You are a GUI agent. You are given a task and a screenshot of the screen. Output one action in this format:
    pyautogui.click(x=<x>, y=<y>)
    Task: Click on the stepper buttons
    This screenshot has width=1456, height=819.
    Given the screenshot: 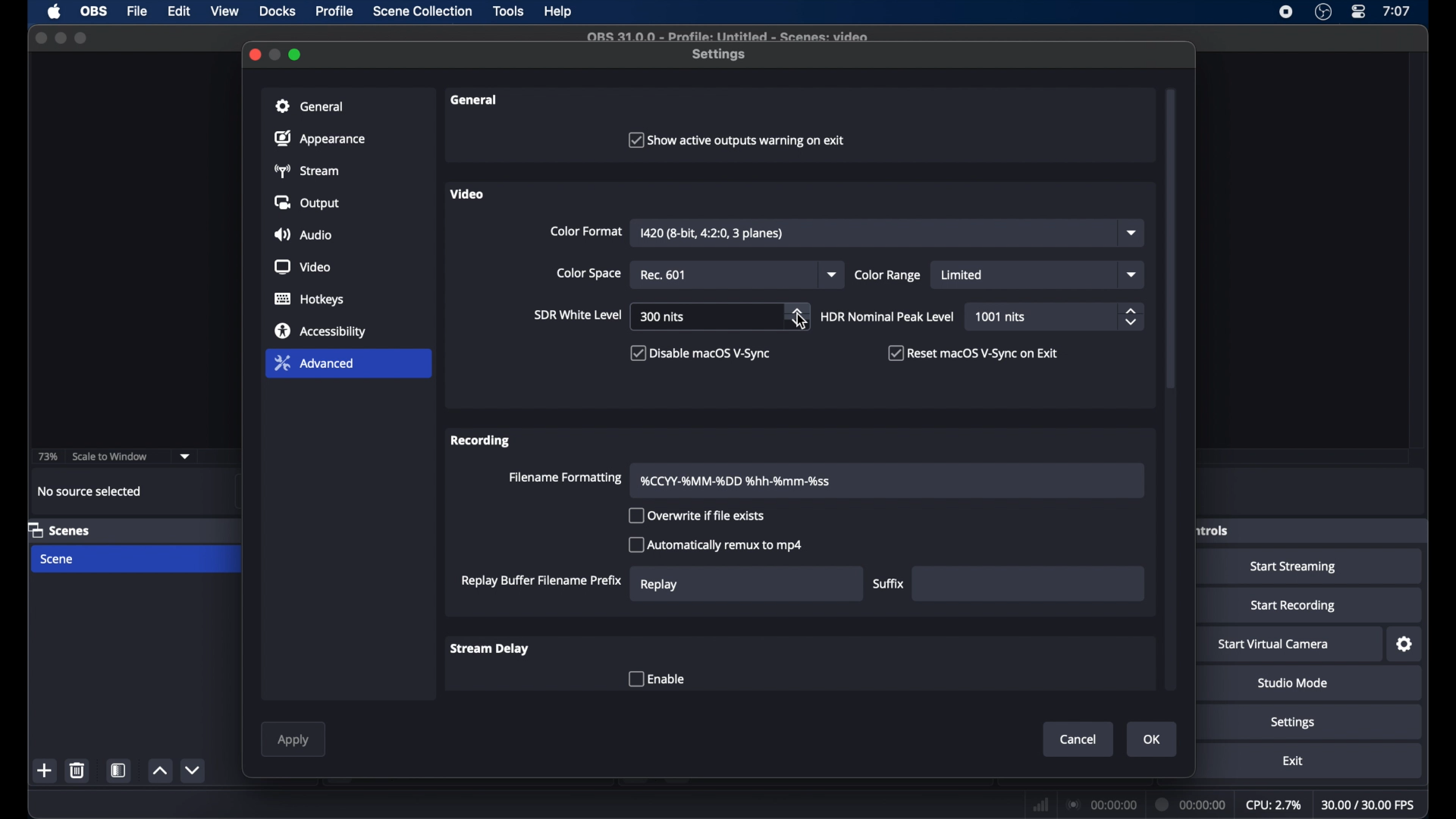 What is the action you would take?
    pyautogui.click(x=797, y=317)
    